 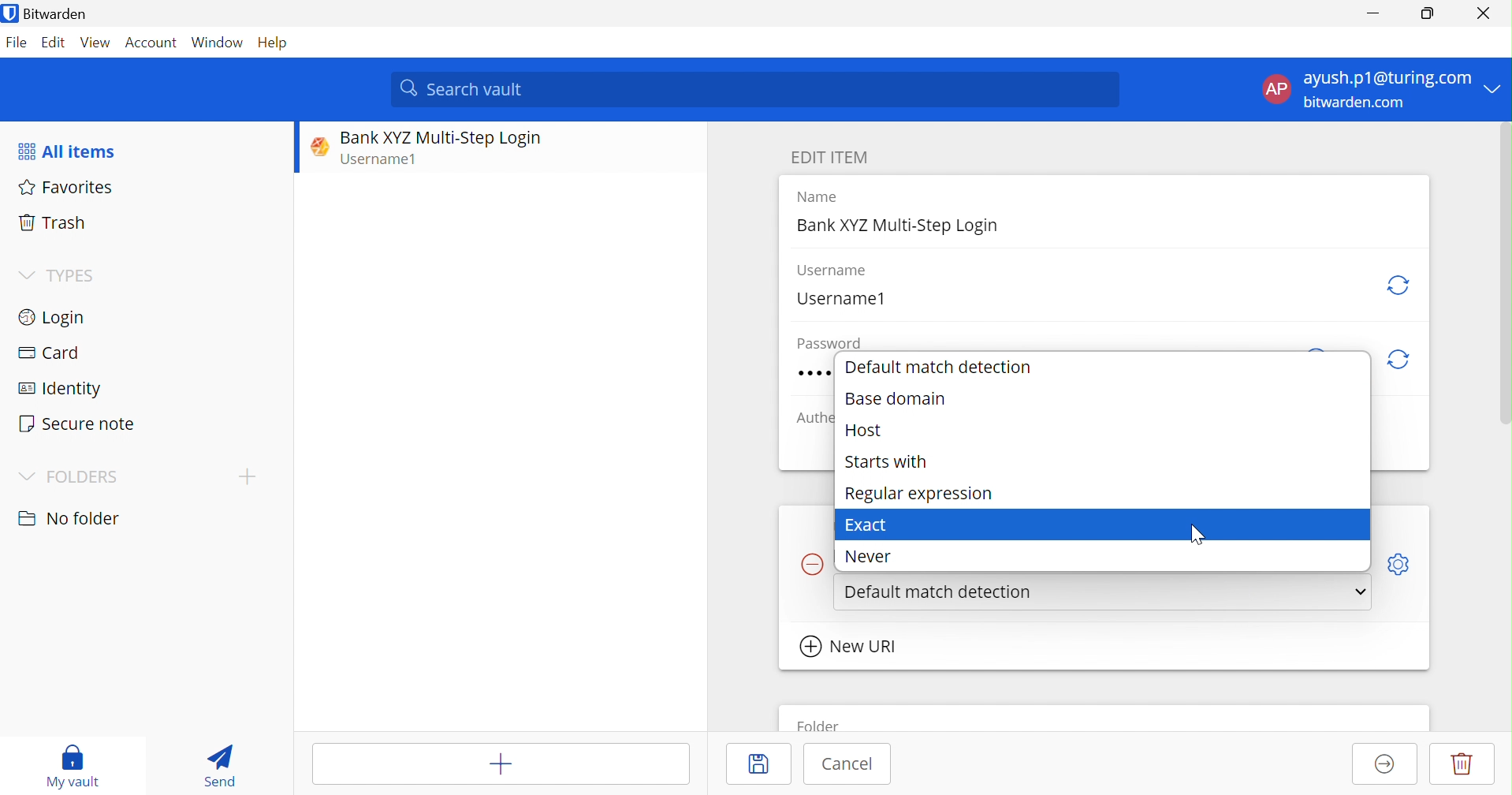 What do you see at coordinates (96, 43) in the screenshot?
I see `View` at bounding box center [96, 43].